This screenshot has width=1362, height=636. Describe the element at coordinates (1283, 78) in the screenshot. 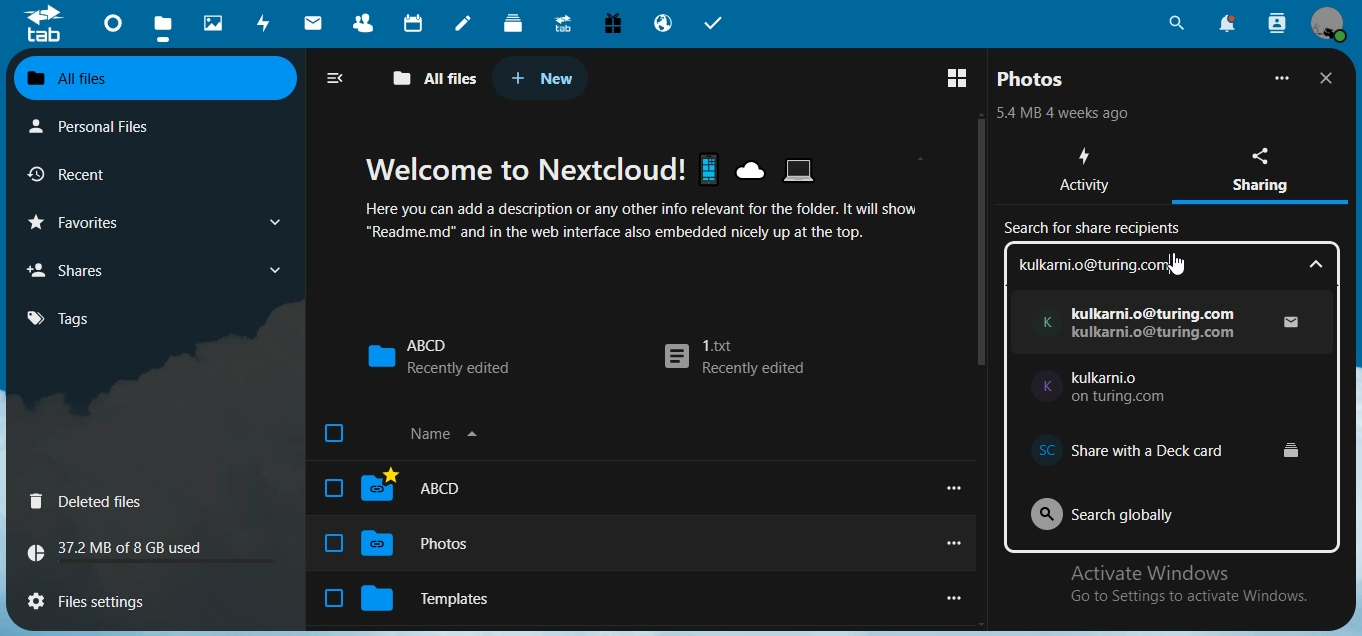

I see `...` at that location.